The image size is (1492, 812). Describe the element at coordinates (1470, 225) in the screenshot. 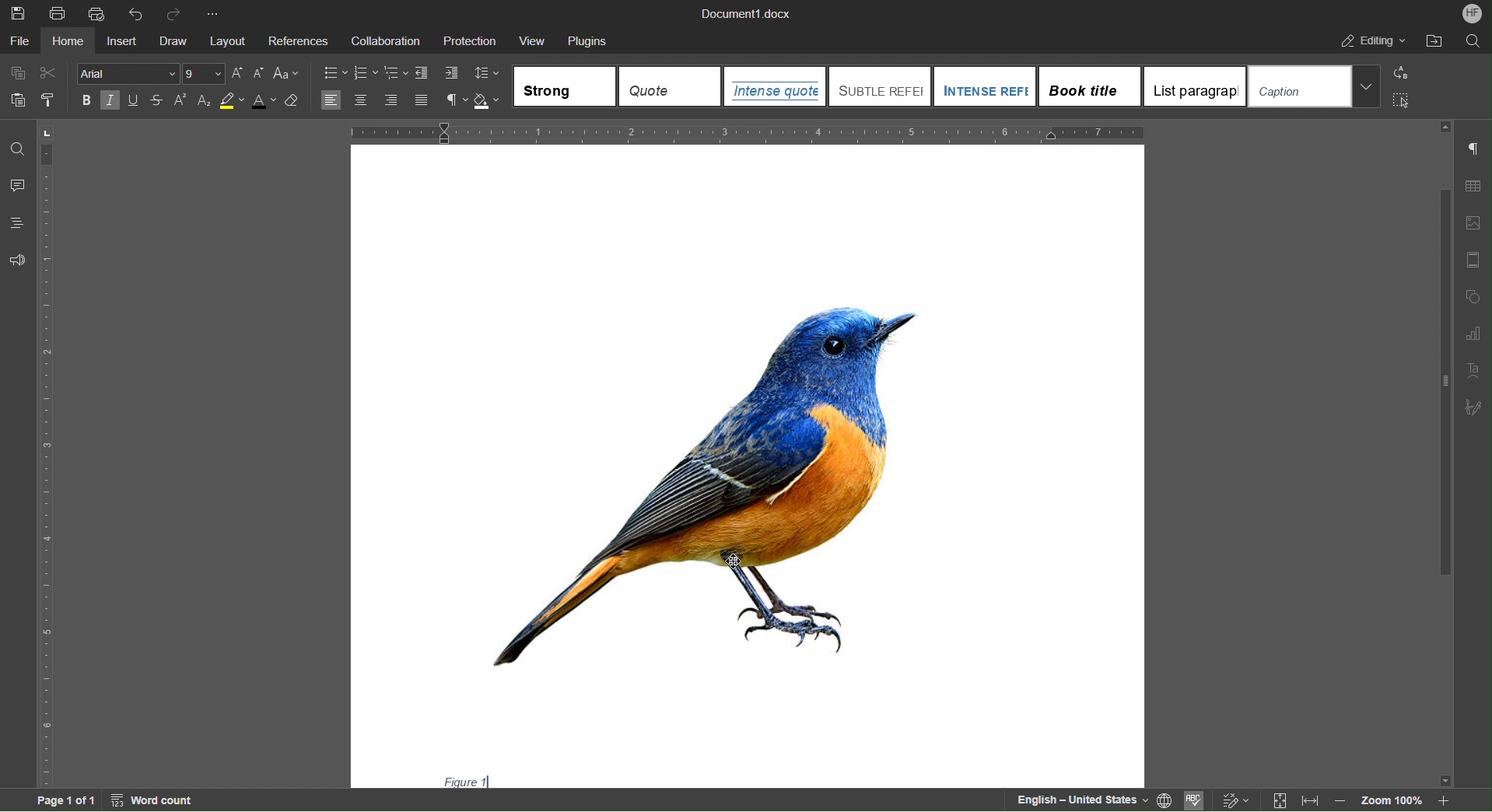

I see `Insert Image` at that location.